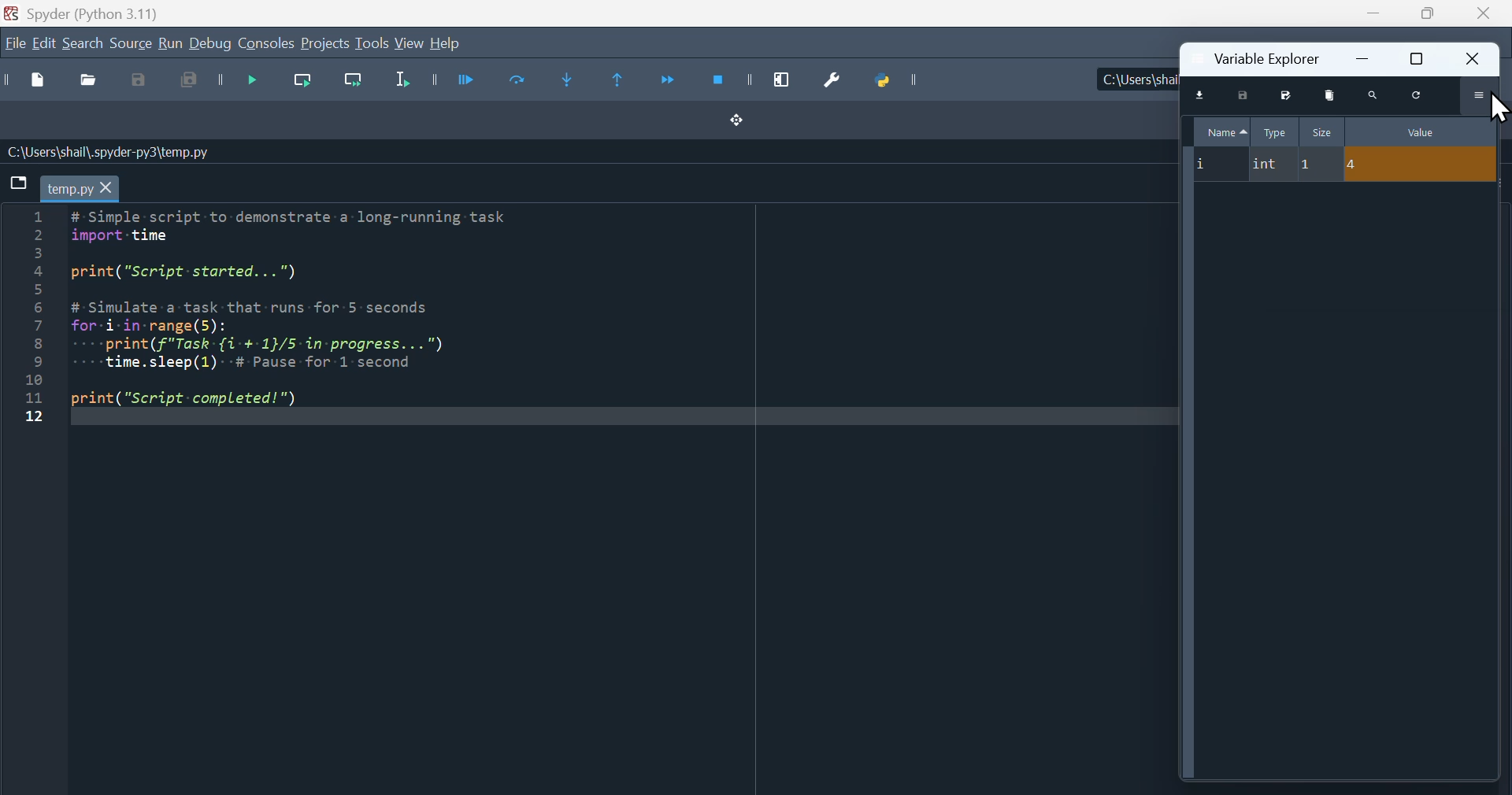 This screenshot has width=1512, height=795. I want to click on Run current line, so click(299, 84).